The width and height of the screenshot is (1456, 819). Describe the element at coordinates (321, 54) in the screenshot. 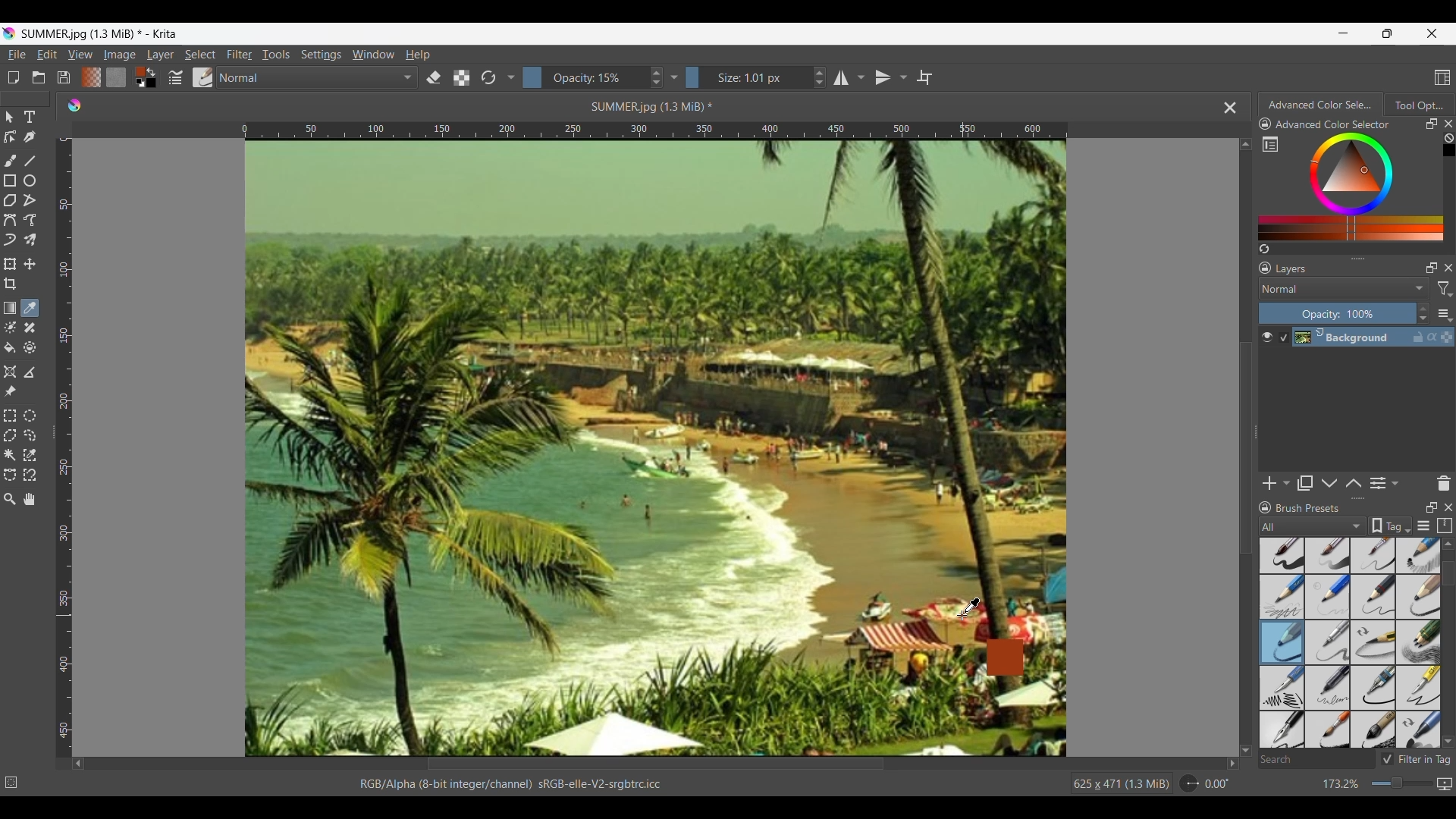

I see `Settings menu` at that location.